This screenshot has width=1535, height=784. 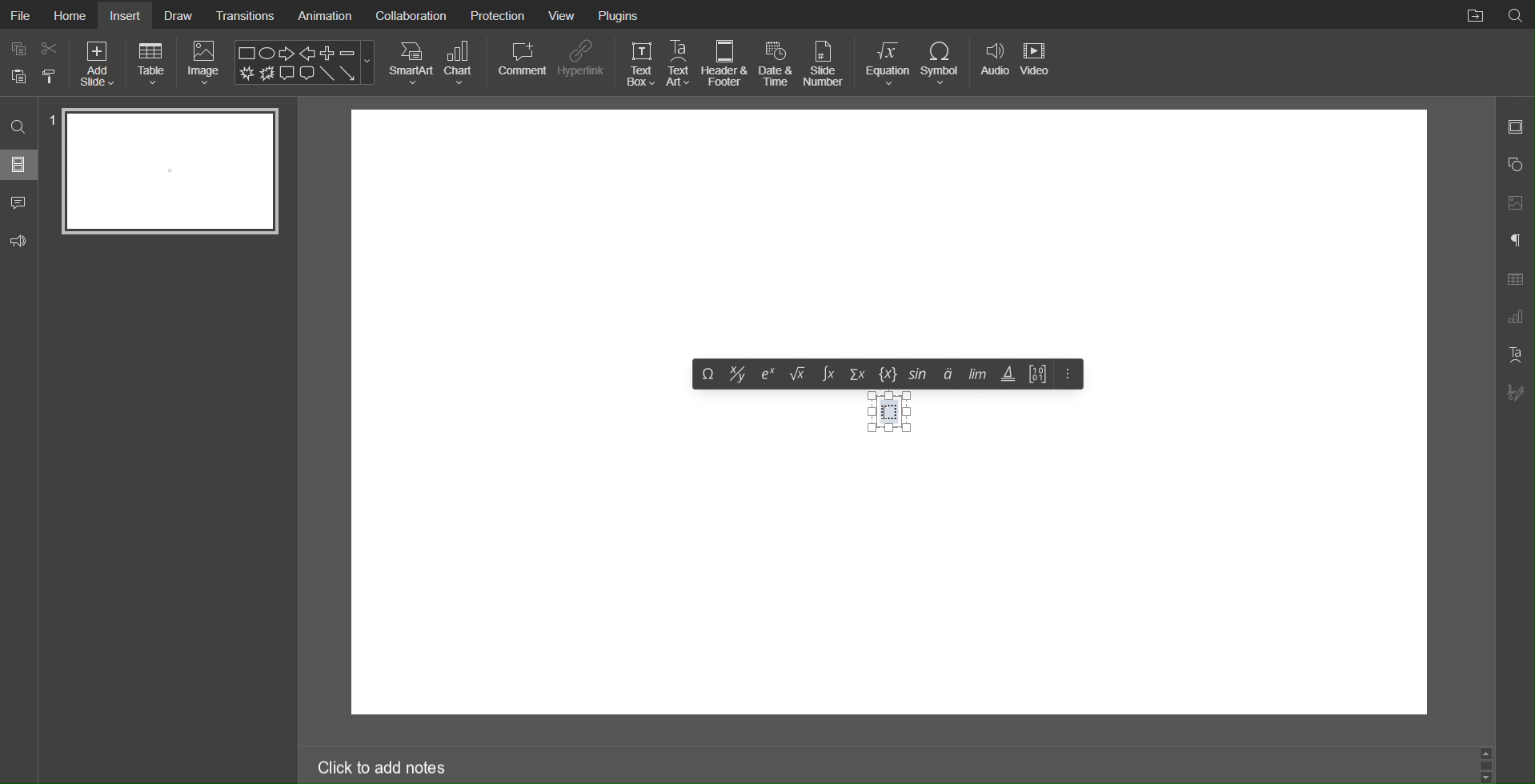 I want to click on Slides, so click(x=18, y=166).